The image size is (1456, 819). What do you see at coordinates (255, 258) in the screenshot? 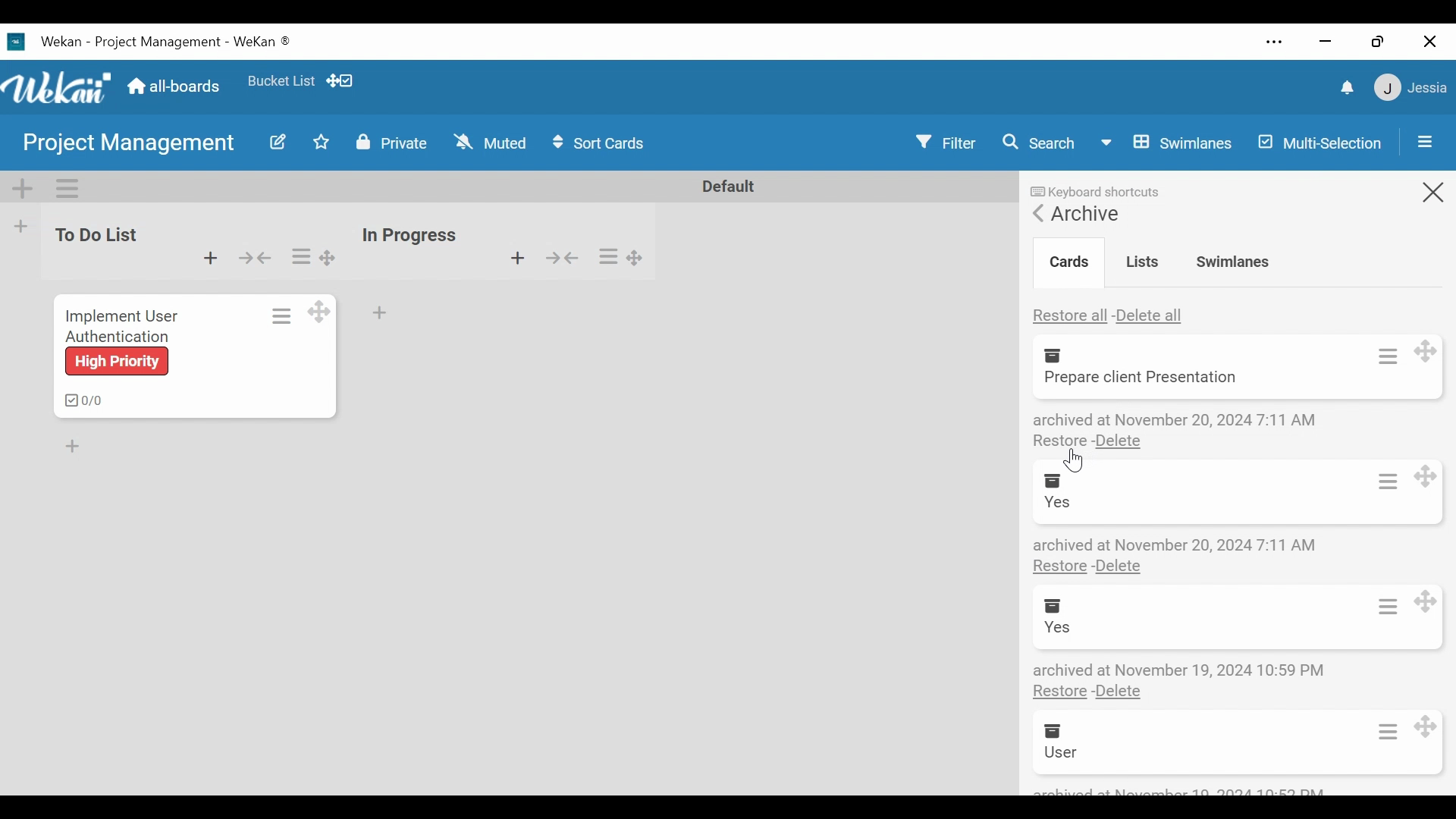
I see `Collapse` at bounding box center [255, 258].